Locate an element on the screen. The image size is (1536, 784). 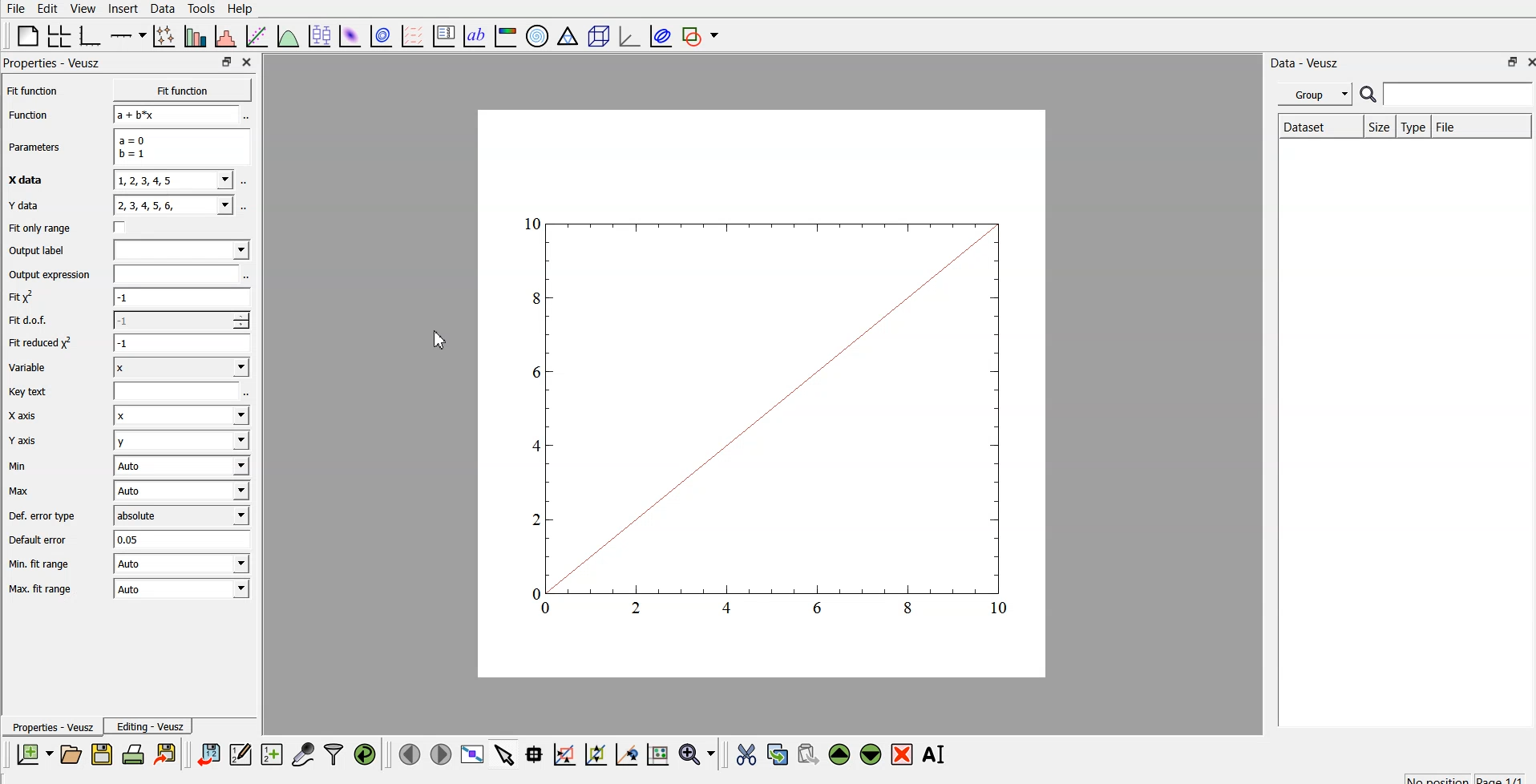
Variable is located at coordinates (40, 367).